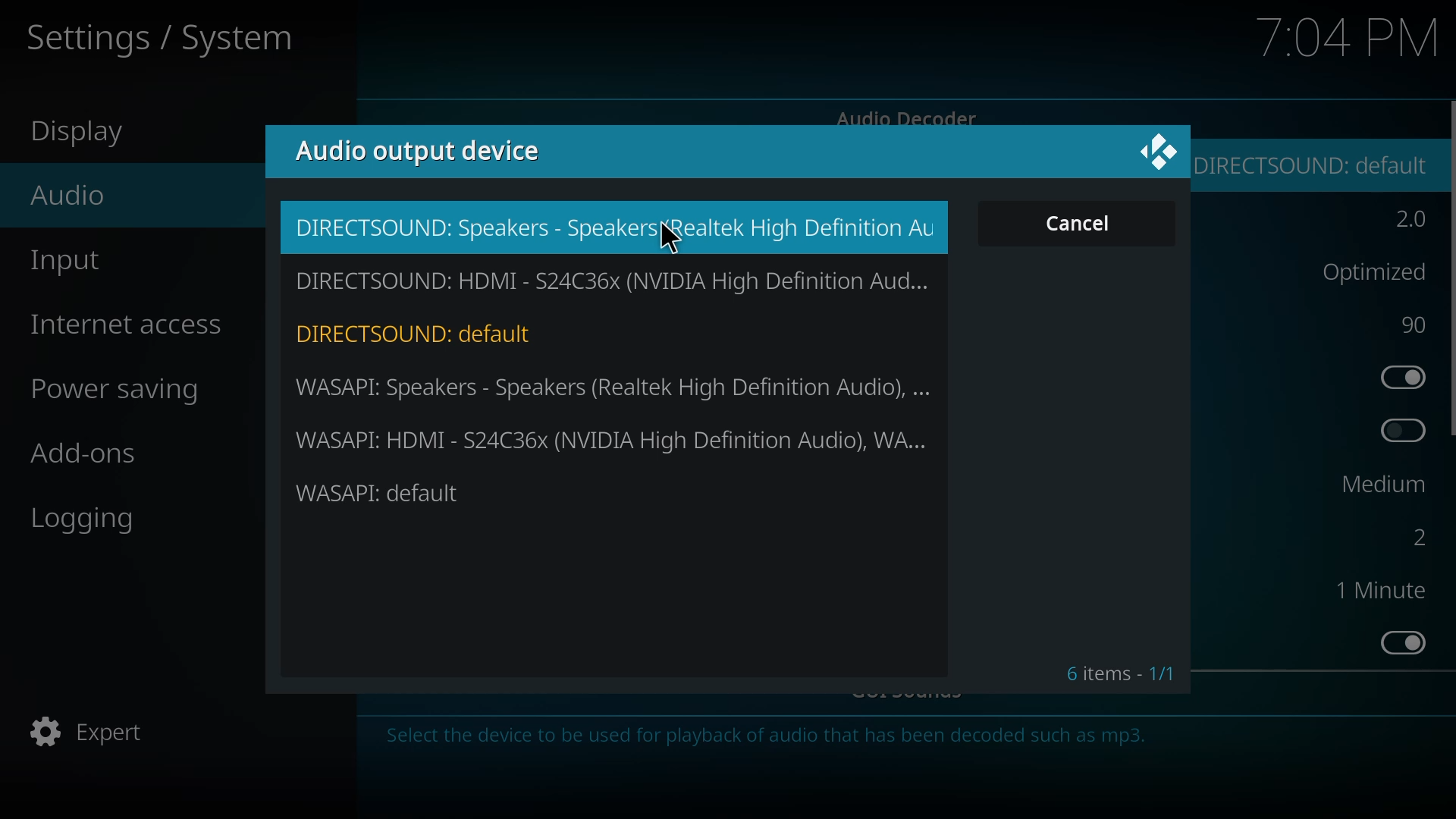 The image size is (1456, 819). I want to click on scroll  bar, so click(1454, 268).